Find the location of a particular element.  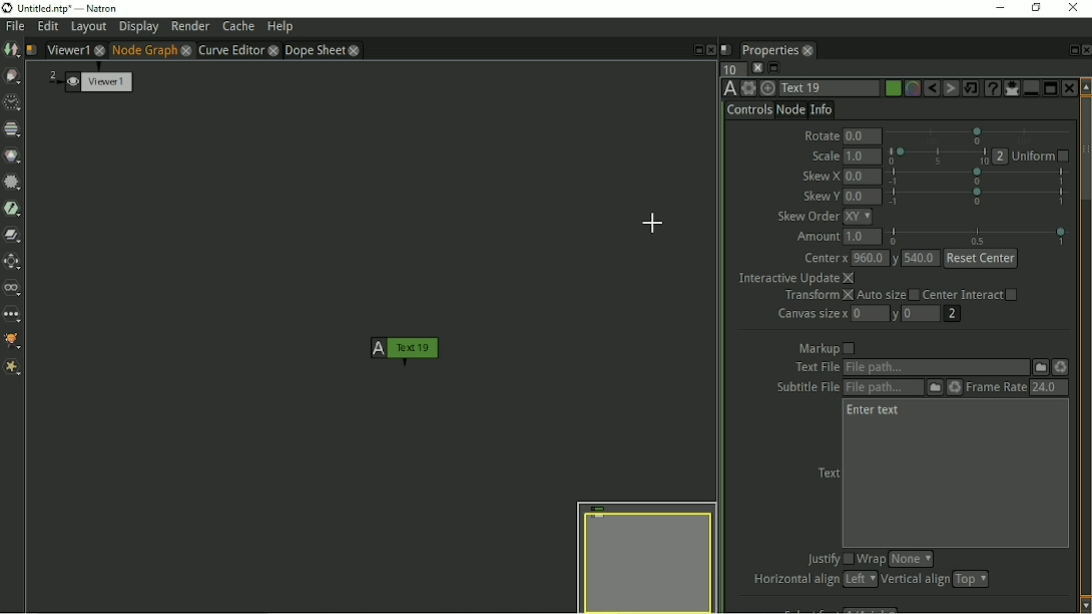

selection bar is located at coordinates (978, 176).